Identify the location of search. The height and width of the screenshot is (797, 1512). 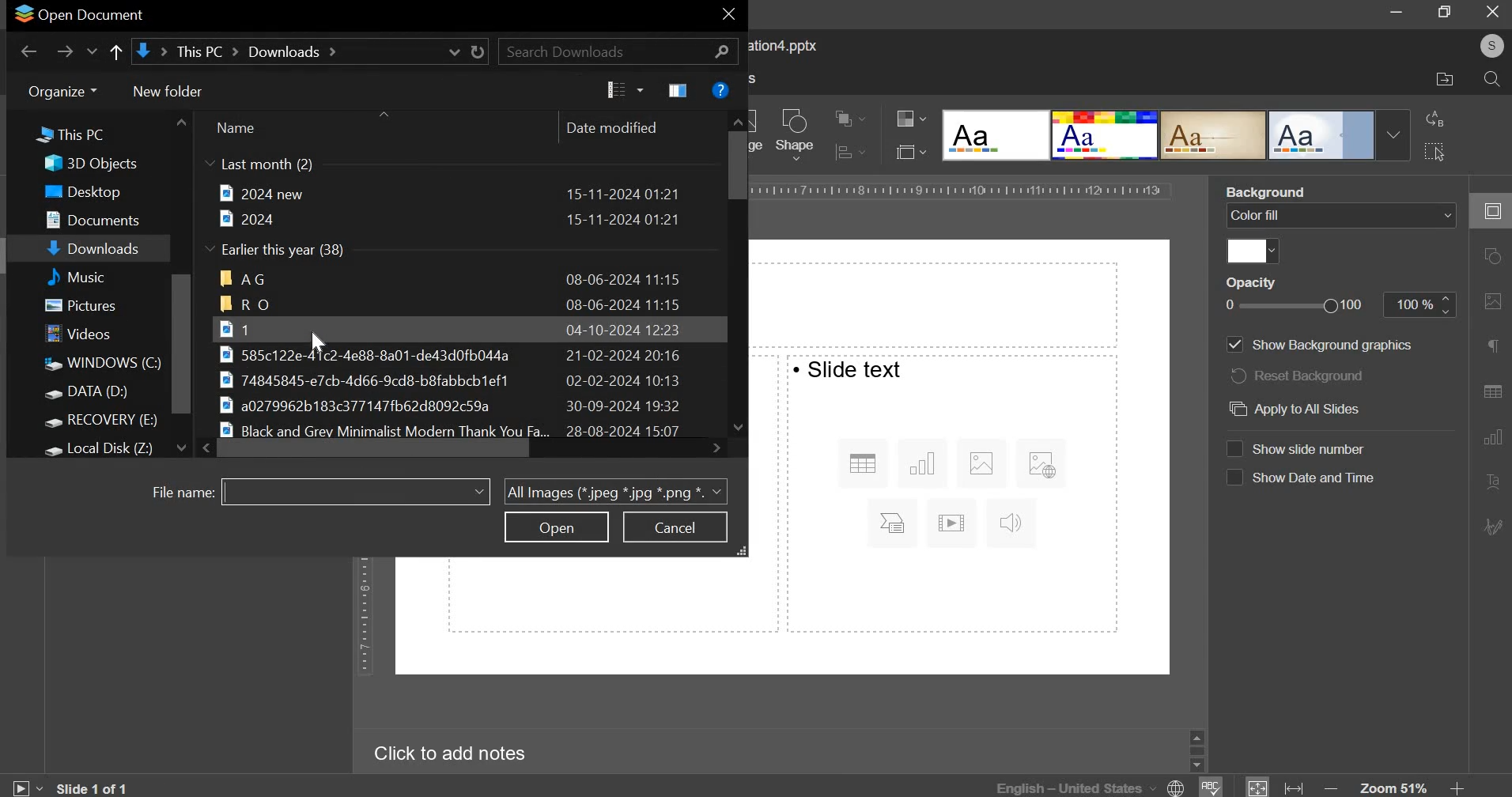
(1491, 81).